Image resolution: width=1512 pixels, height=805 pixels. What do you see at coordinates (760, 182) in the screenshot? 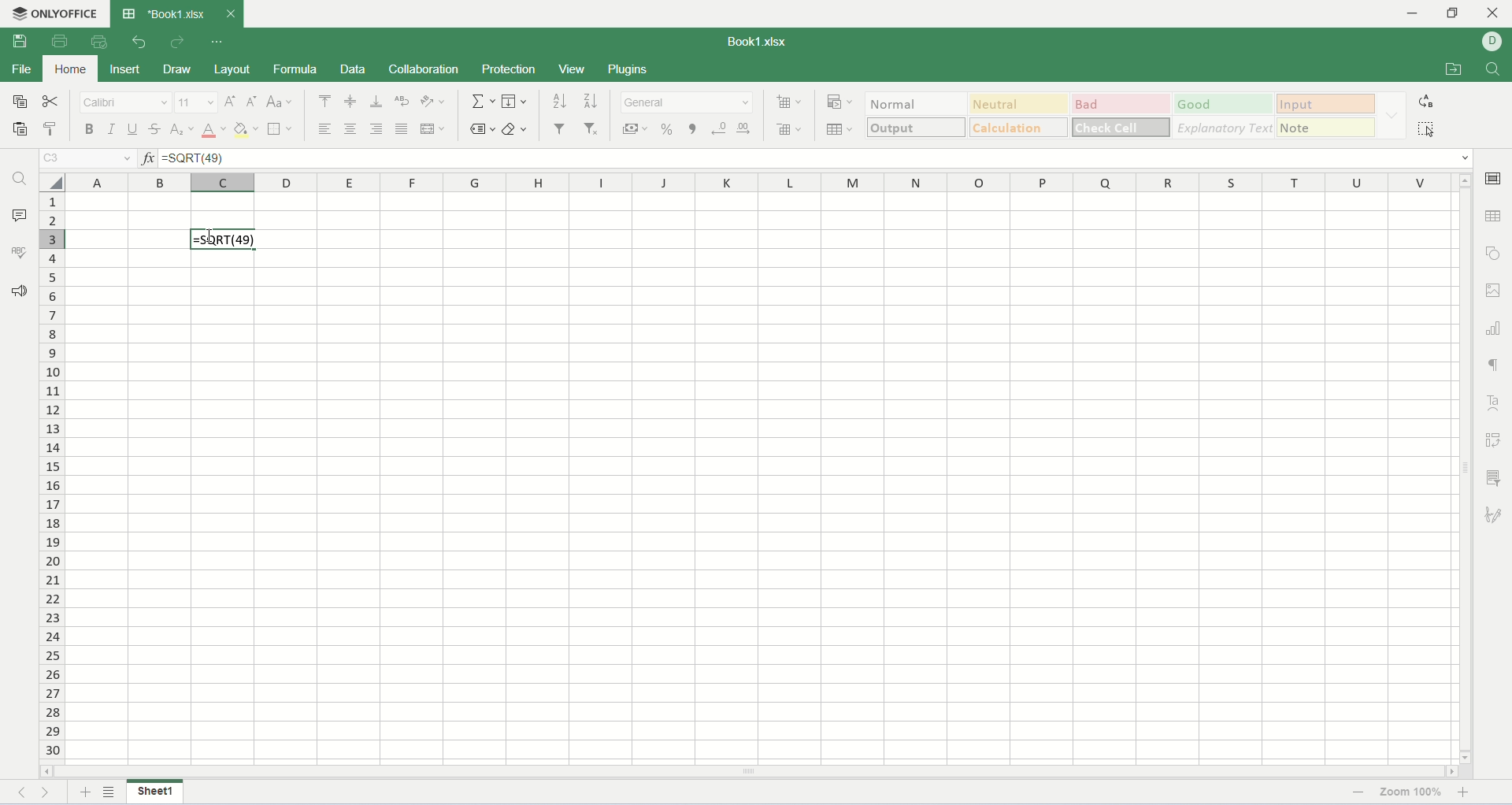
I see `column name` at bounding box center [760, 182].